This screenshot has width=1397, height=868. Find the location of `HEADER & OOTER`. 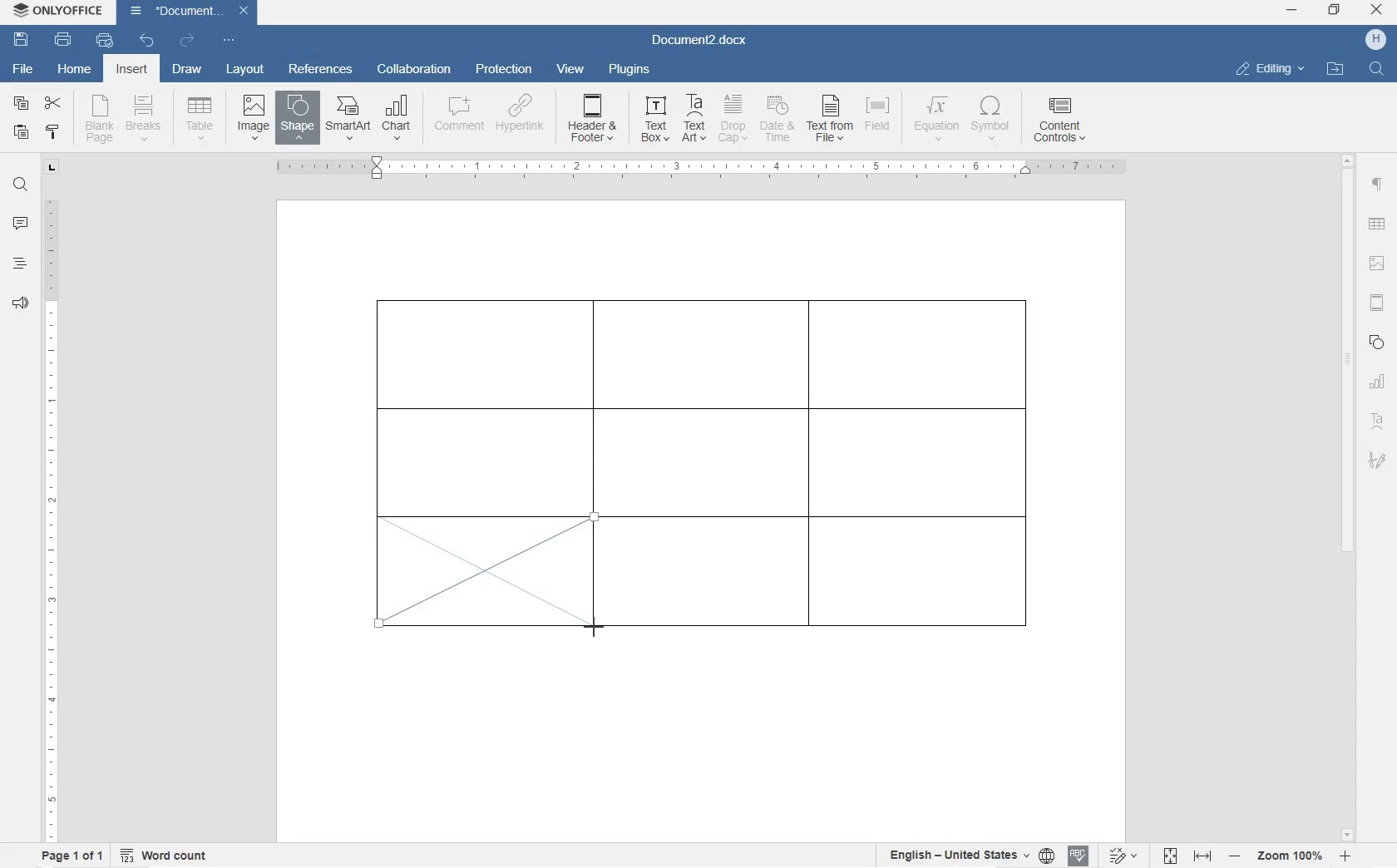

HEADER & OOTER is located at coordinates (593, 119).